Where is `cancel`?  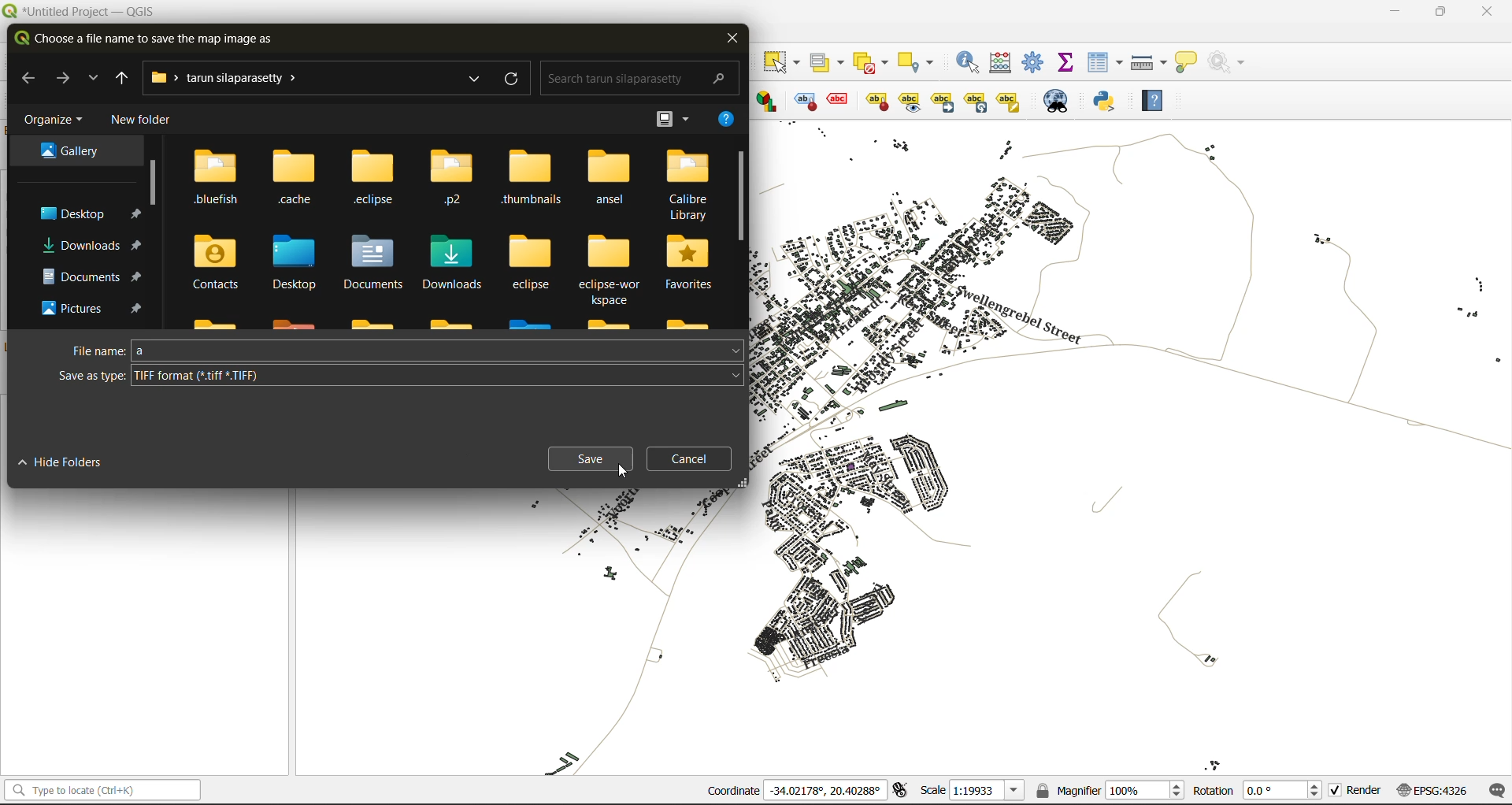 cancel is located at coordinates (690, 459).